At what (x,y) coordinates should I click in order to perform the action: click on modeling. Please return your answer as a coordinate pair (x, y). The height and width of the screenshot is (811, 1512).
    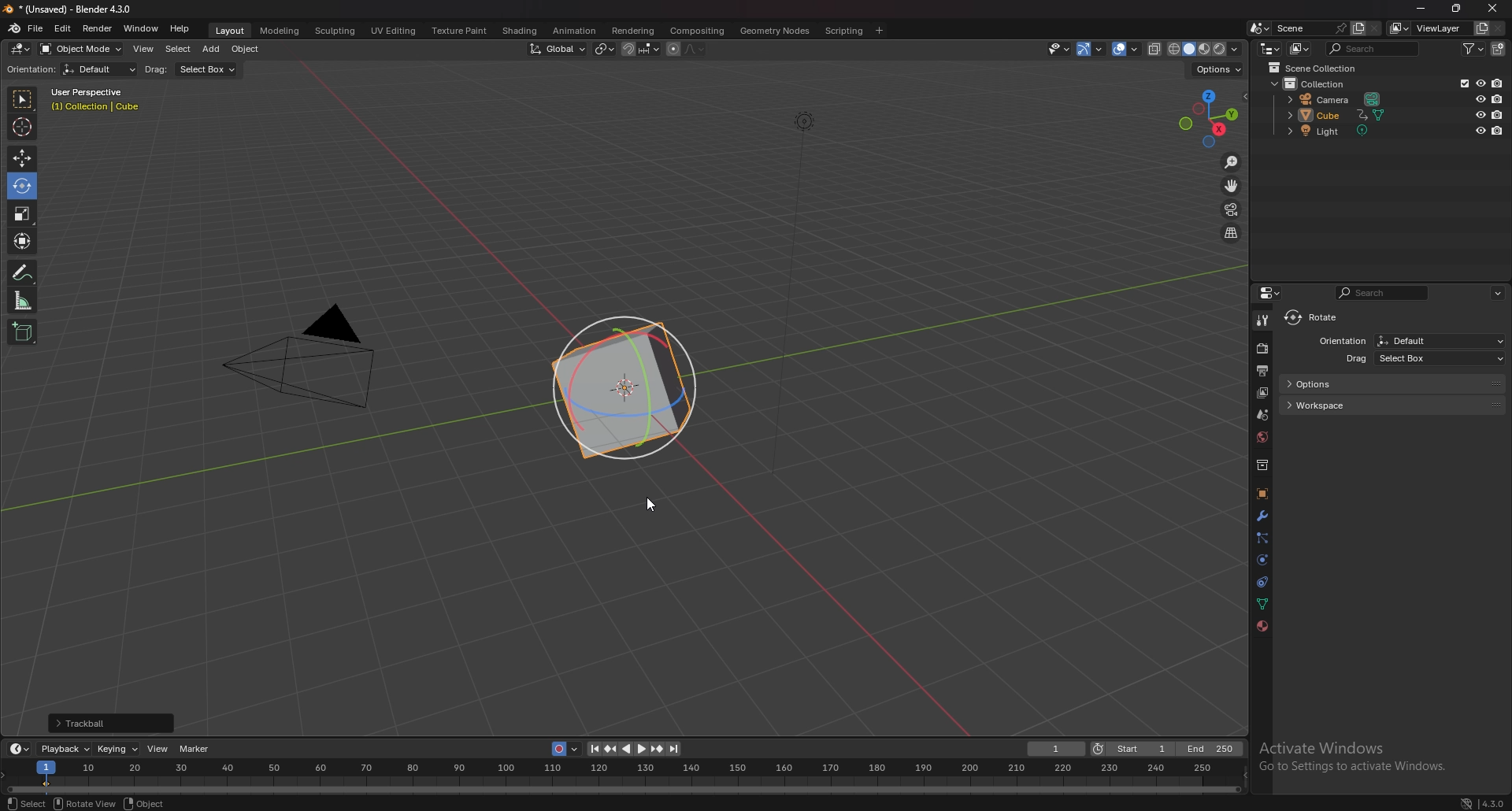
    Looking at the image, I should click on (281, 31).